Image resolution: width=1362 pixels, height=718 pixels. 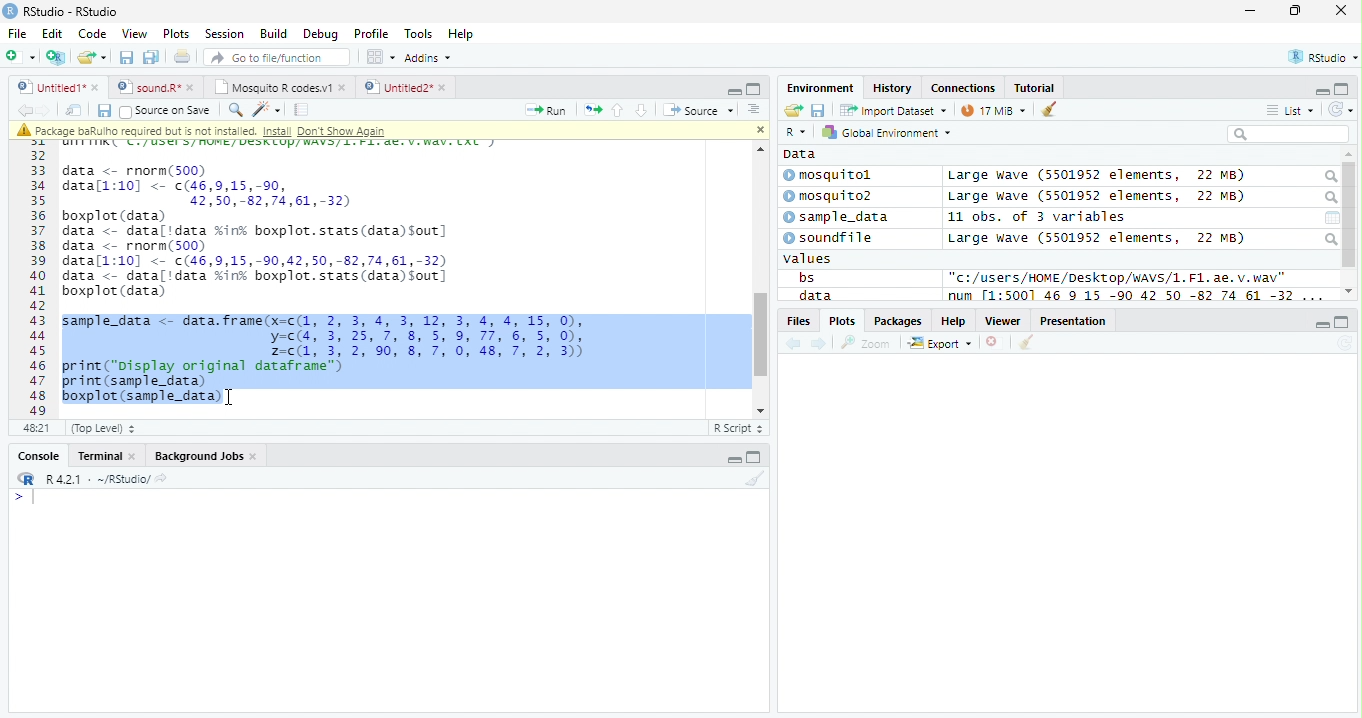 What do you see at coordinates (546, 111) in the screenshot?
I see `Run the current line or selection` at bounding box center [546, 111].